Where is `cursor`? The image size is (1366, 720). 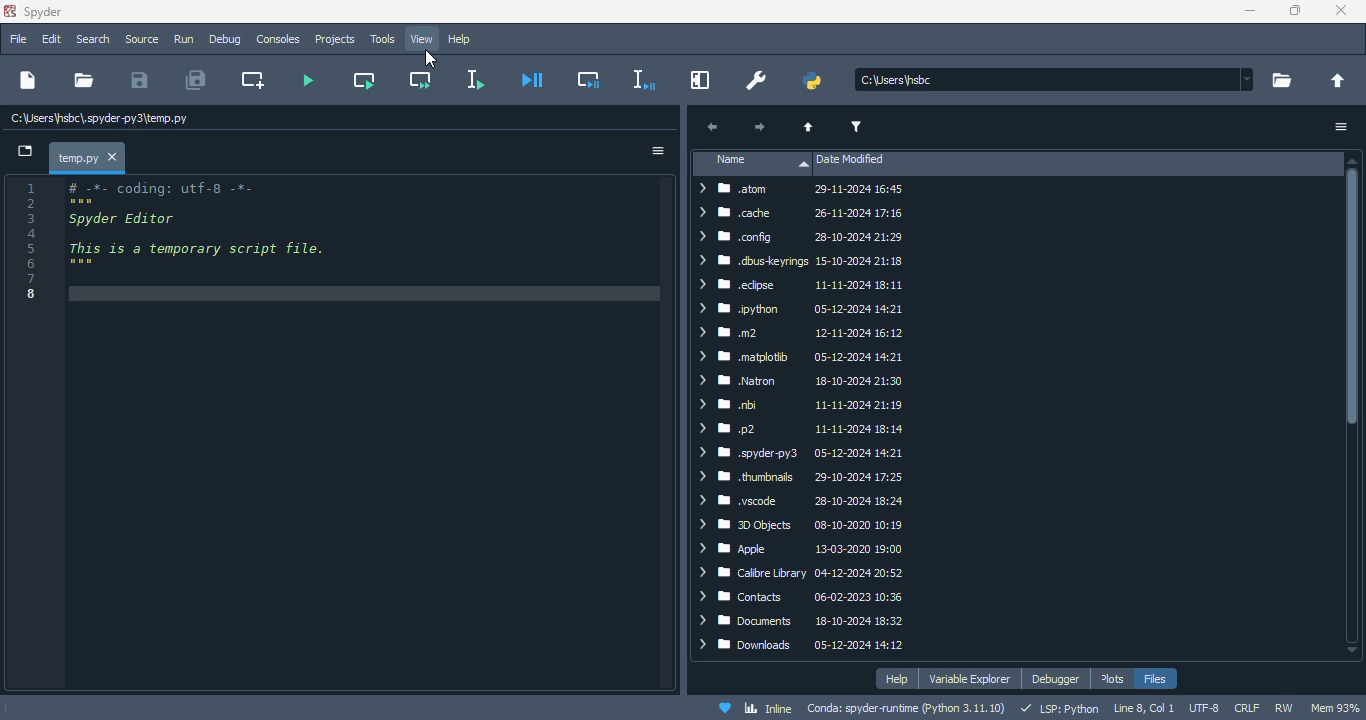 cursor is located at coordinates (429, 59).